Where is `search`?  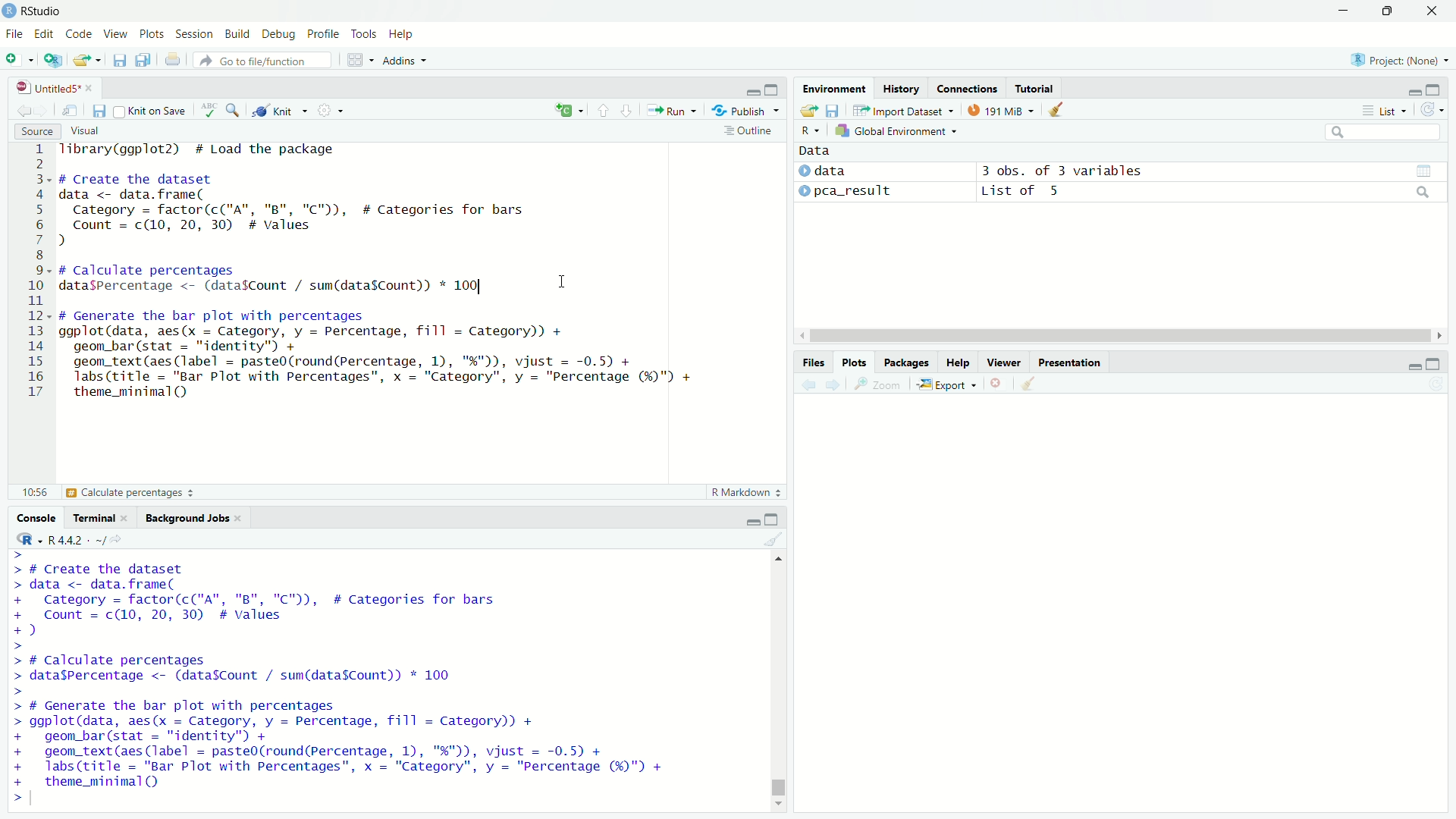
search is located at coordinates (1382, 131).